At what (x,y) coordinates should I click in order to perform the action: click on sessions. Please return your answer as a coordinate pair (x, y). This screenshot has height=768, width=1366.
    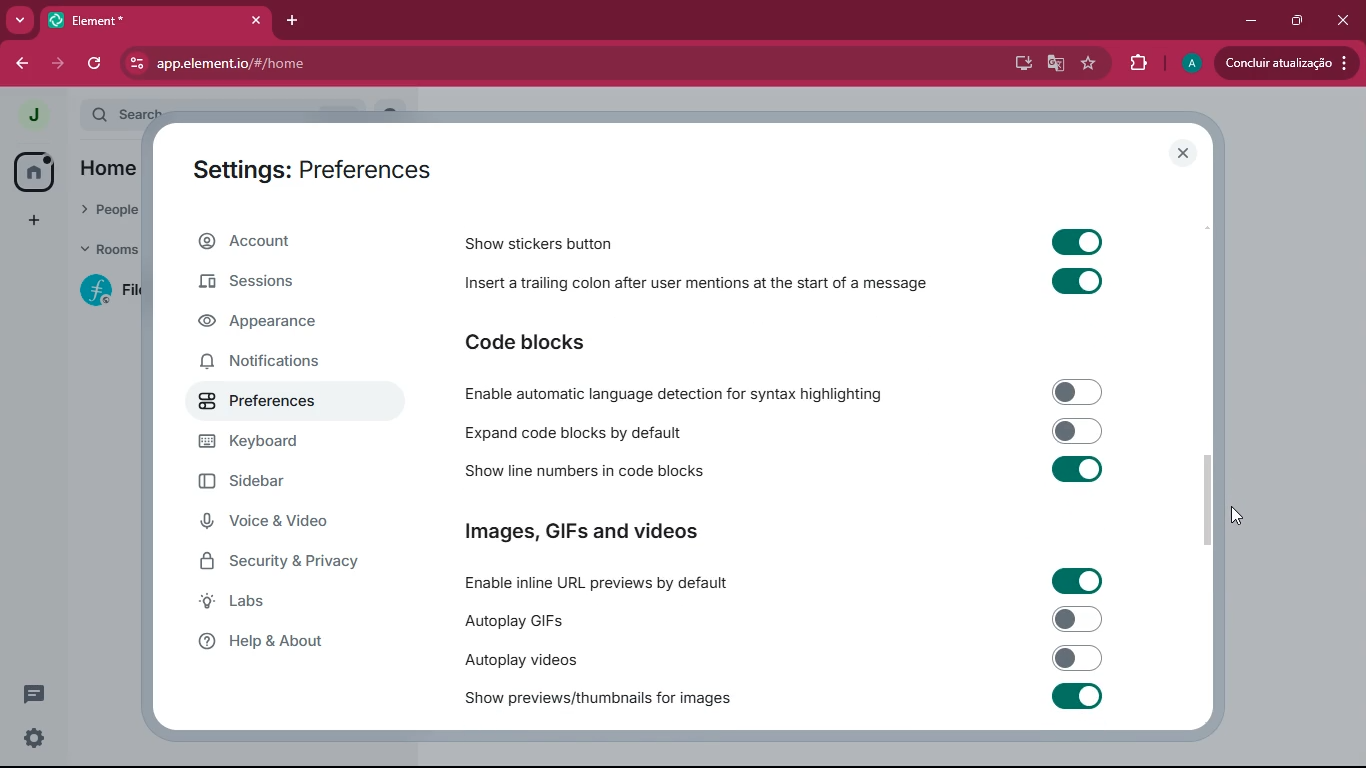
    Looking at the image, I should click on (272, 284).